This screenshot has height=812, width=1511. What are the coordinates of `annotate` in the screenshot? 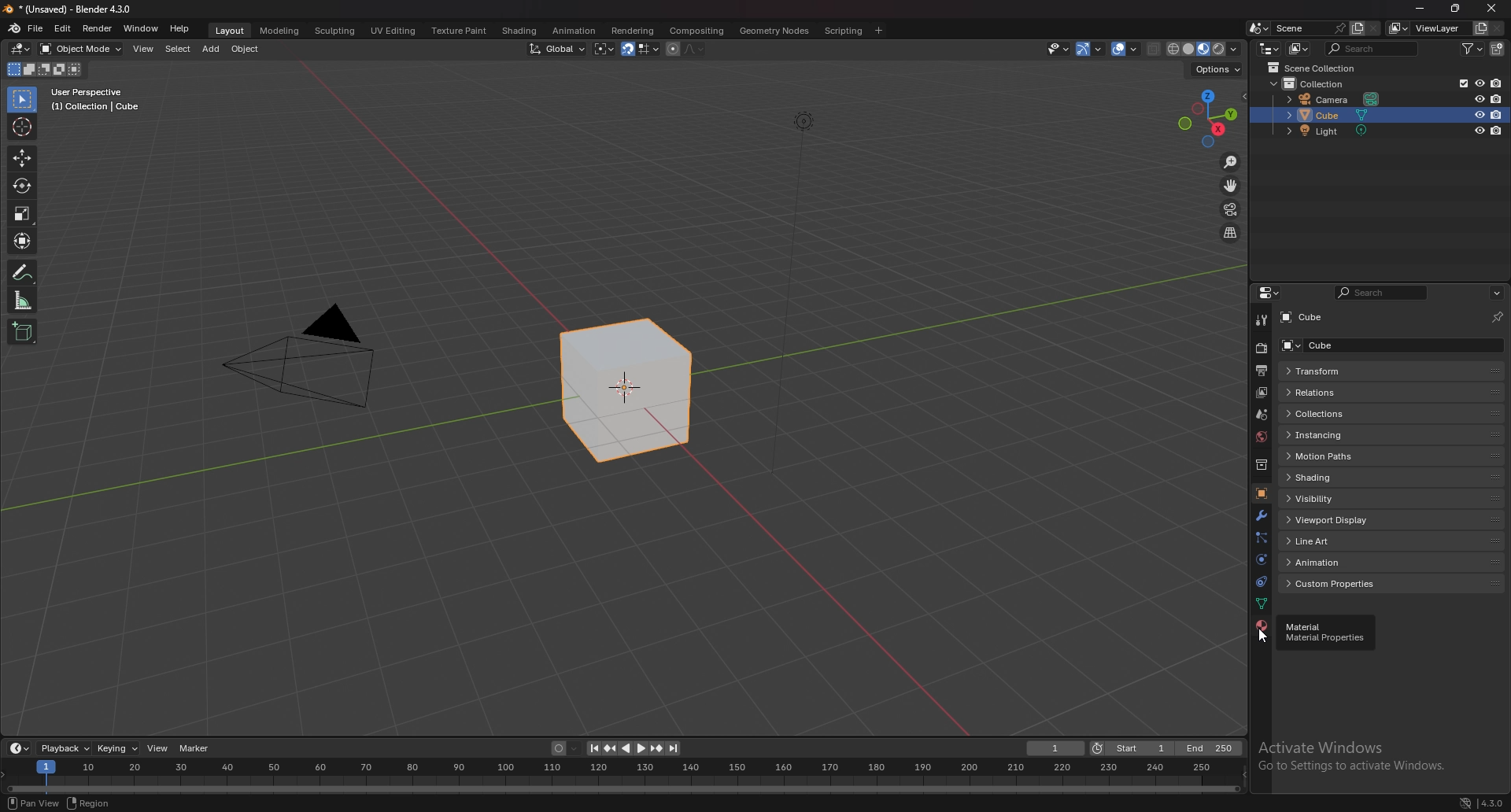 It's located at (23, 272).